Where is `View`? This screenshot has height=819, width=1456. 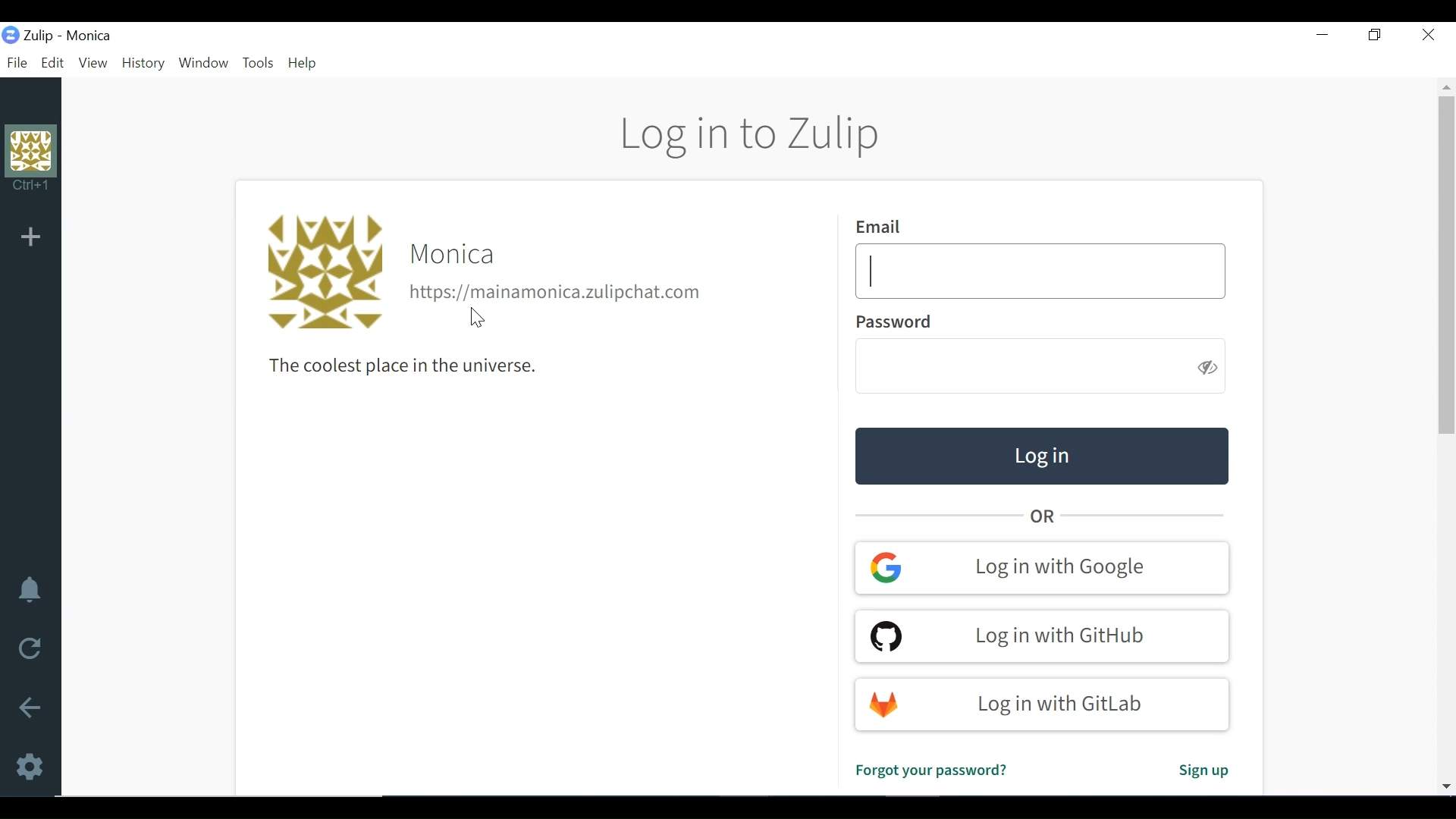 View is located at coordinates (93, 63).